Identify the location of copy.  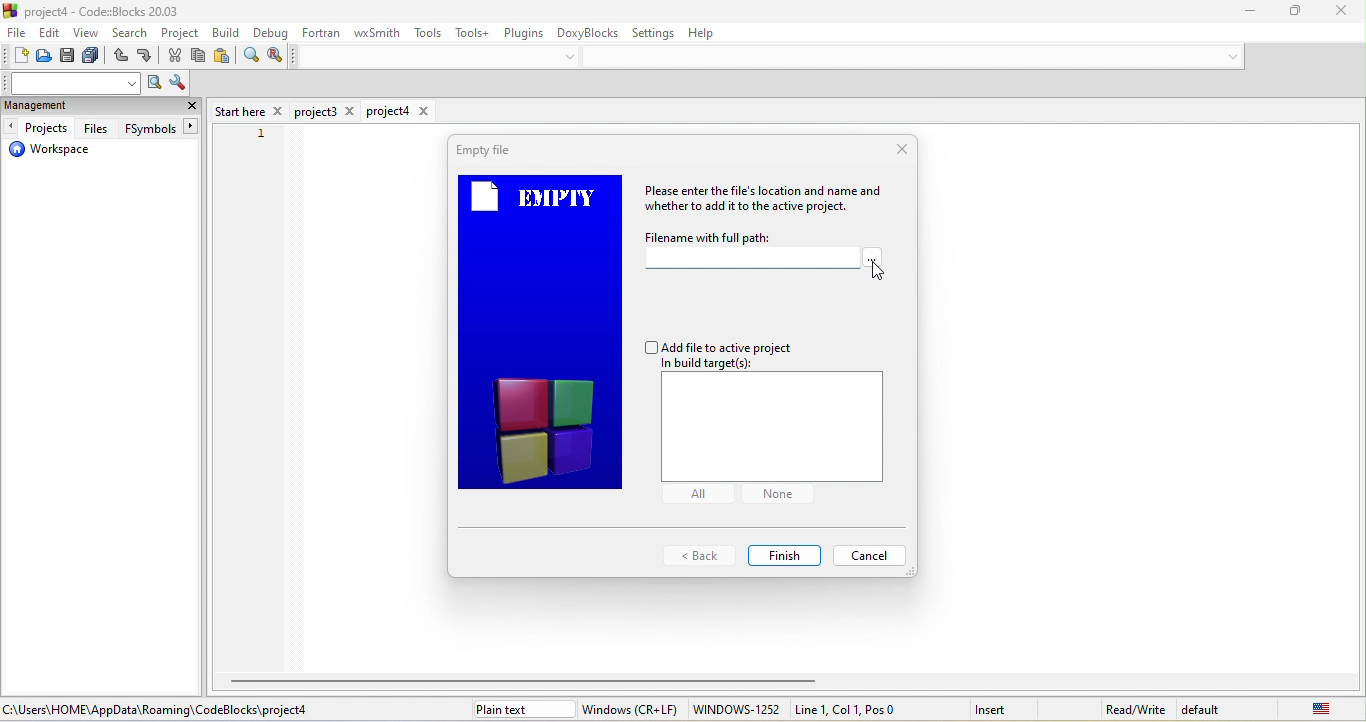
(200, 57).